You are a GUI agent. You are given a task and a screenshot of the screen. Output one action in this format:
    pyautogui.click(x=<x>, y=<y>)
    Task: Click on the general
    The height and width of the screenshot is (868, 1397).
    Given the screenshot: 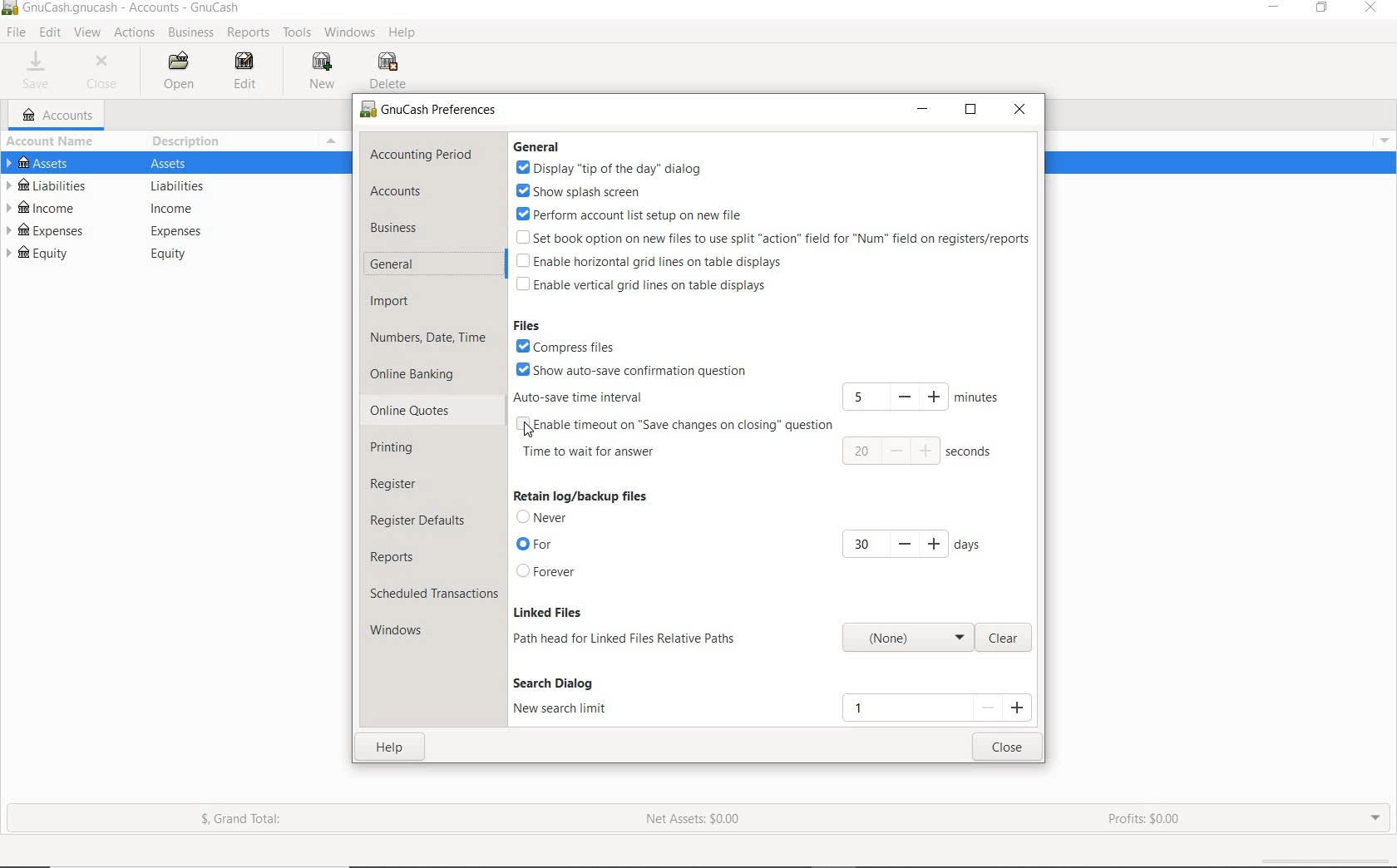 What is the action you would take?
    pyautogui.click(x=541, y=147)
    